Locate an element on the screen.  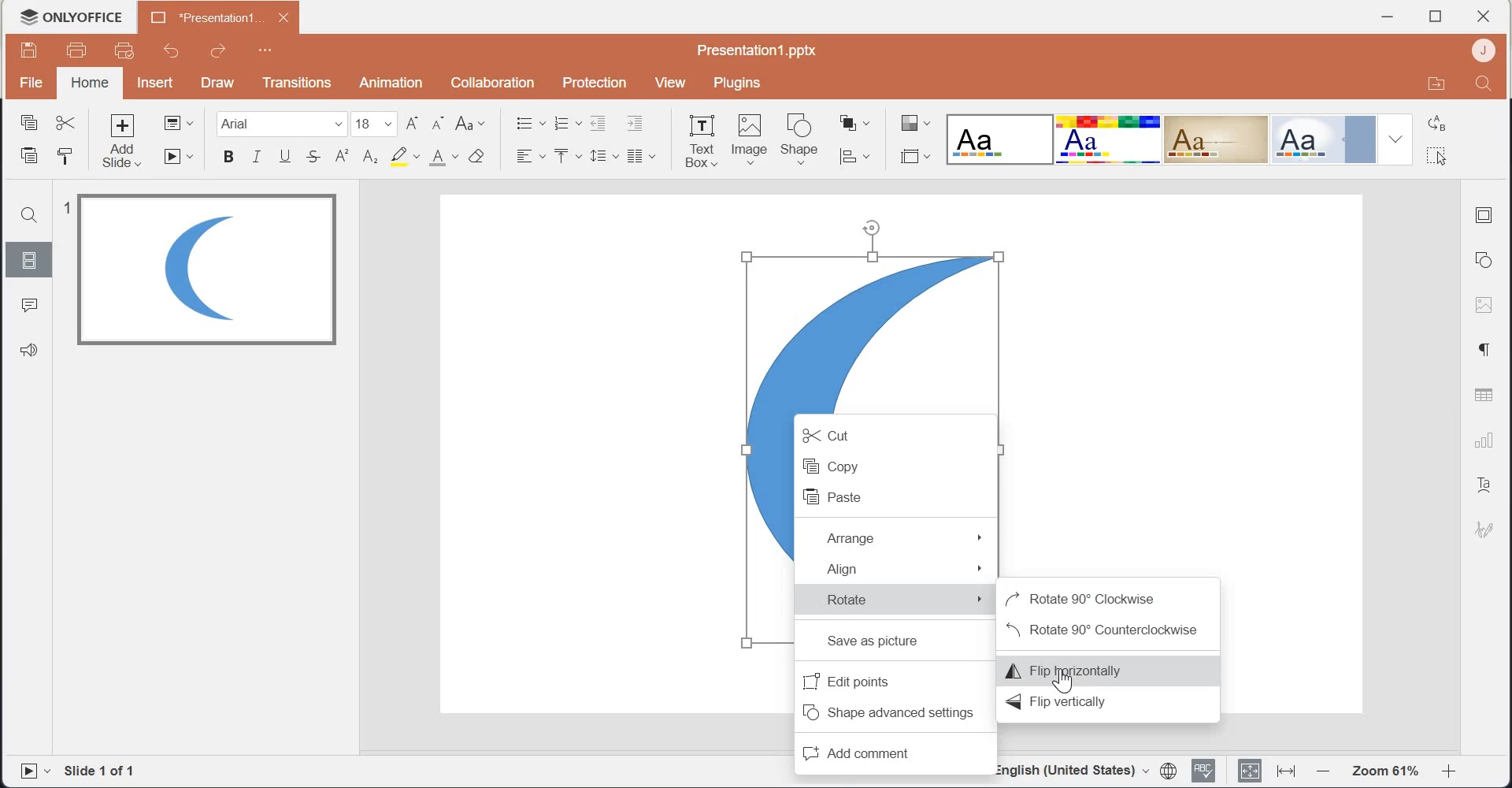
Protection is located at coordinates (589, 84).